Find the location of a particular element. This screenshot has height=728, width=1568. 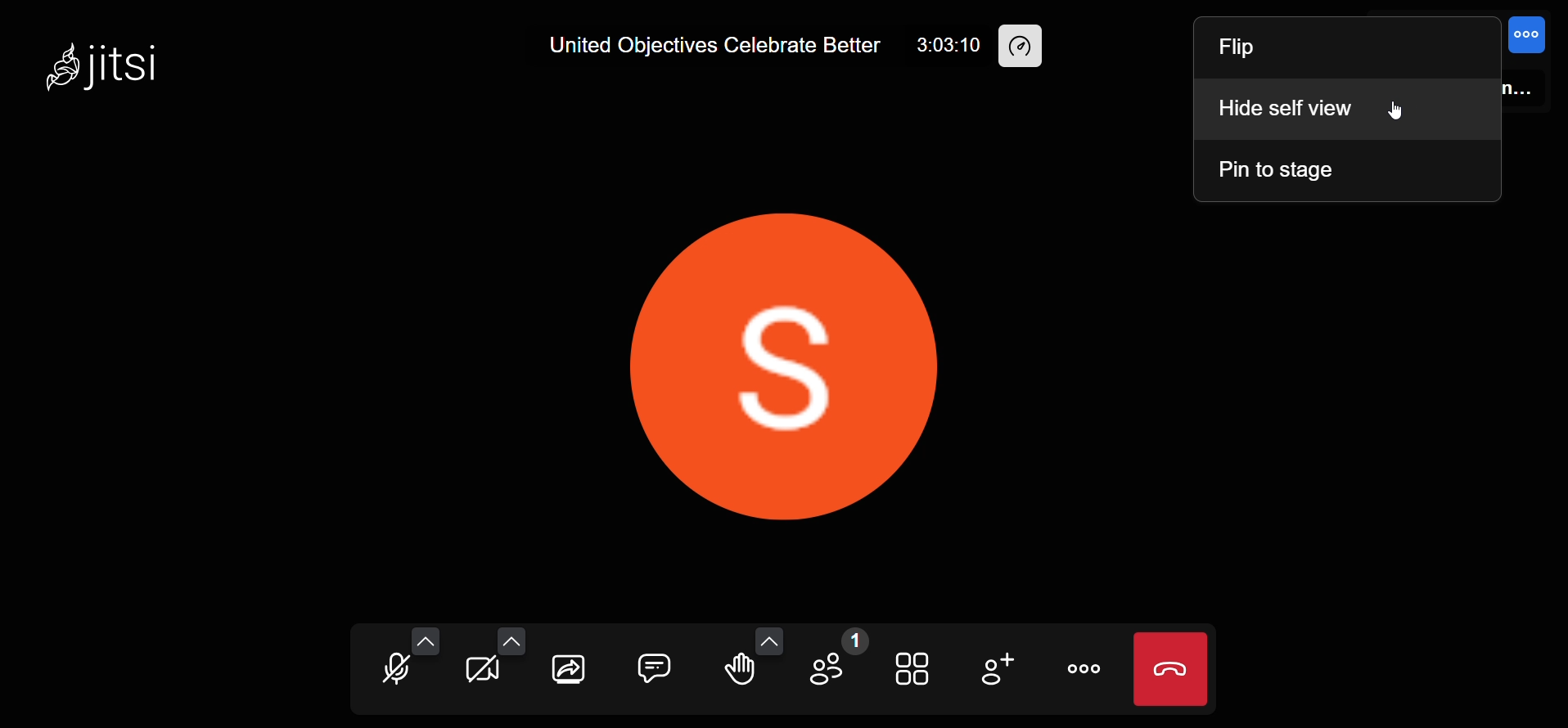

3:03:10 is located at coordinates (944, 46).